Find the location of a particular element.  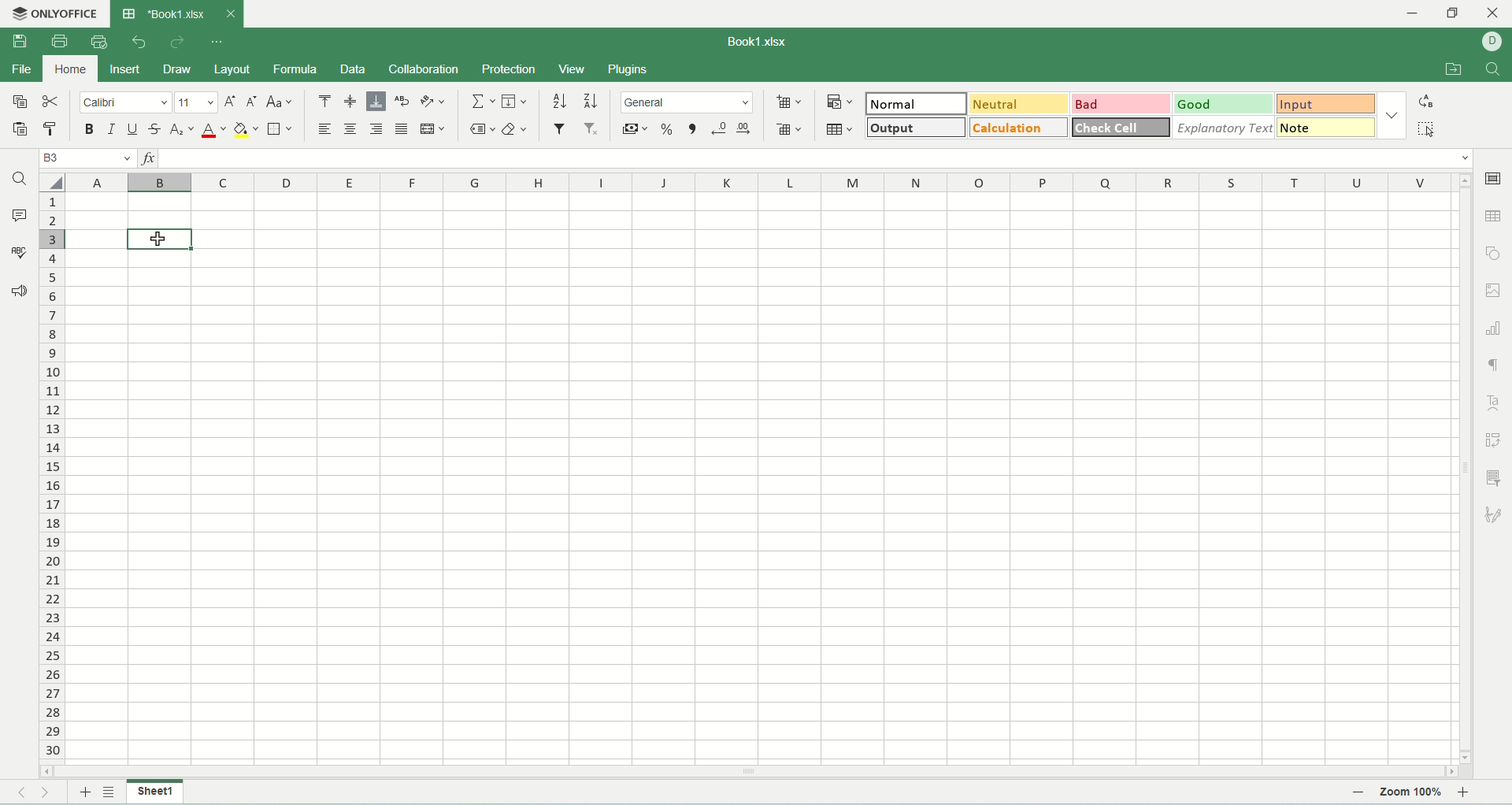

chart setting is located at coordinates (1495, 325).